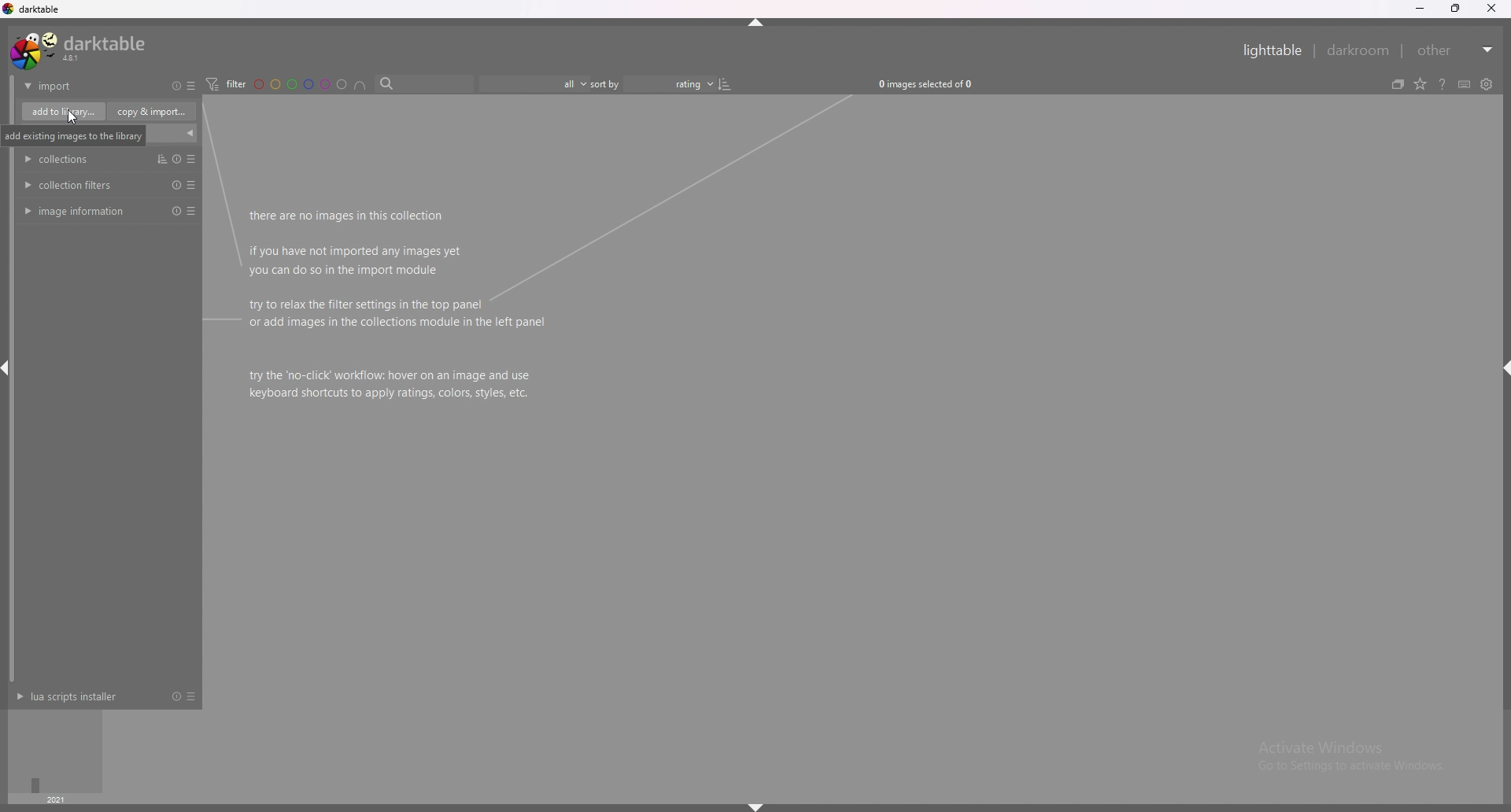  Describe the element at coordinates (1491, 9) in the screenshot. I see `close` at that location.